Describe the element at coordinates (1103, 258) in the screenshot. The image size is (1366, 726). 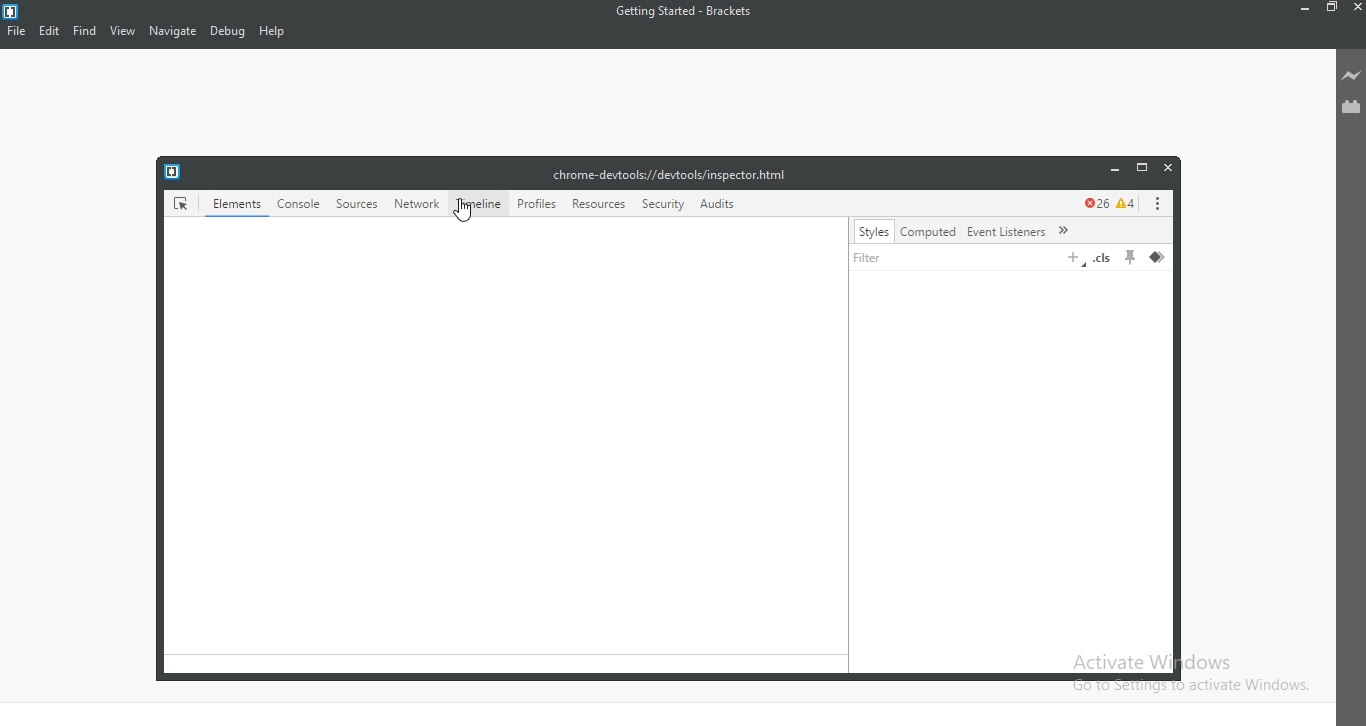
I see `.cls` at that location.